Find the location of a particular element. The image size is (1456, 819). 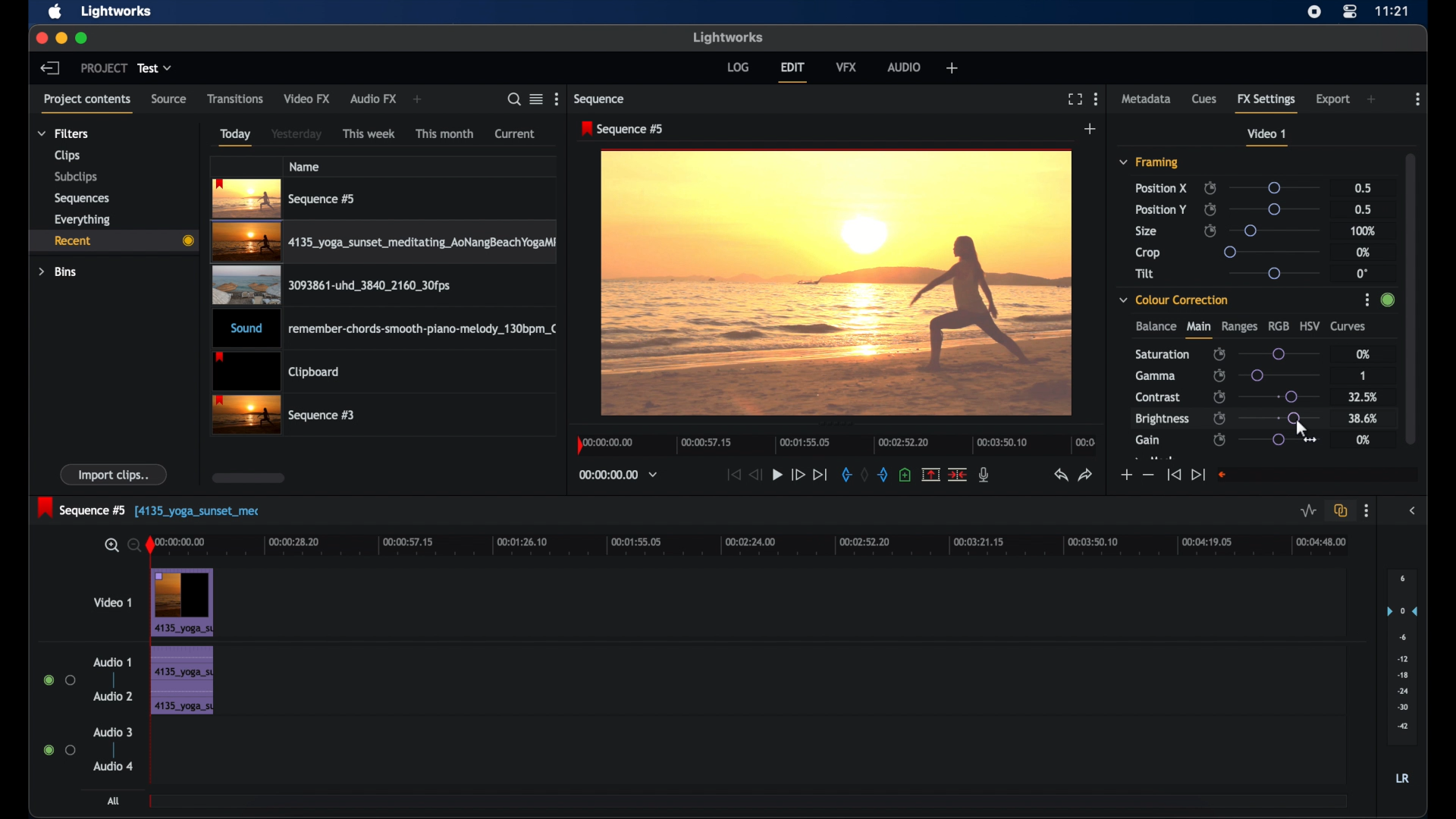

source is located at coordinates (168, 99).